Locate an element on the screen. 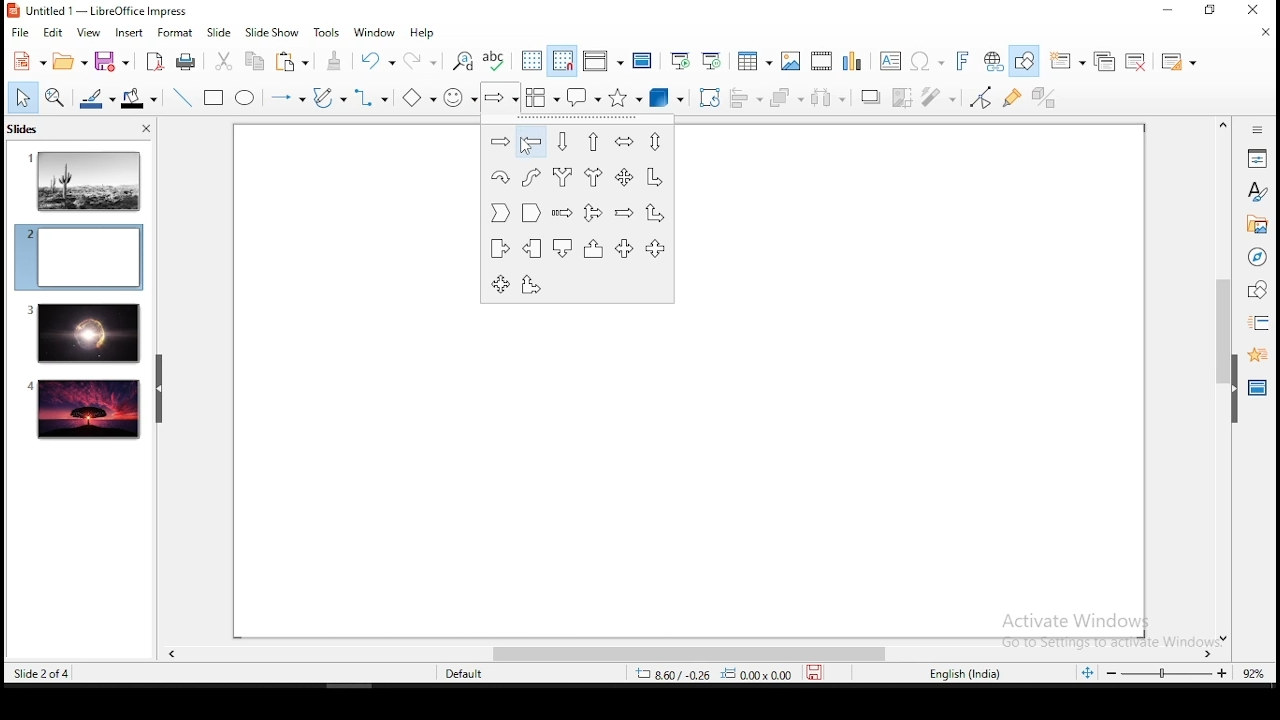 Image resolution: width=1280 pixels, height=720 pixels. pentagon is located at coordinates (530, 212).